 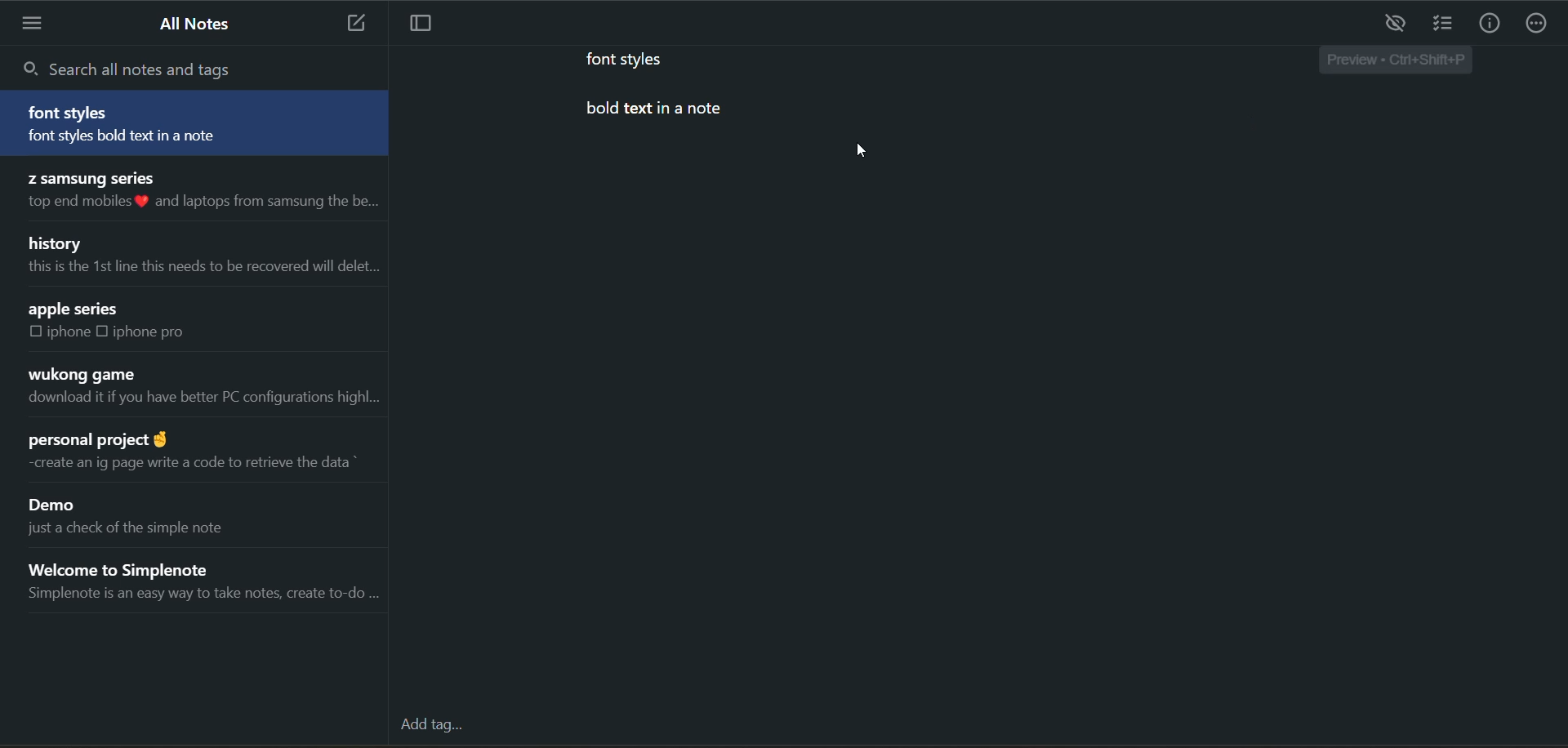 What do you see at coordinates (188, 462) in the screenshot?
I see `~create an ig page write a code to retrieve the data *` at bounding box center [188, 462].